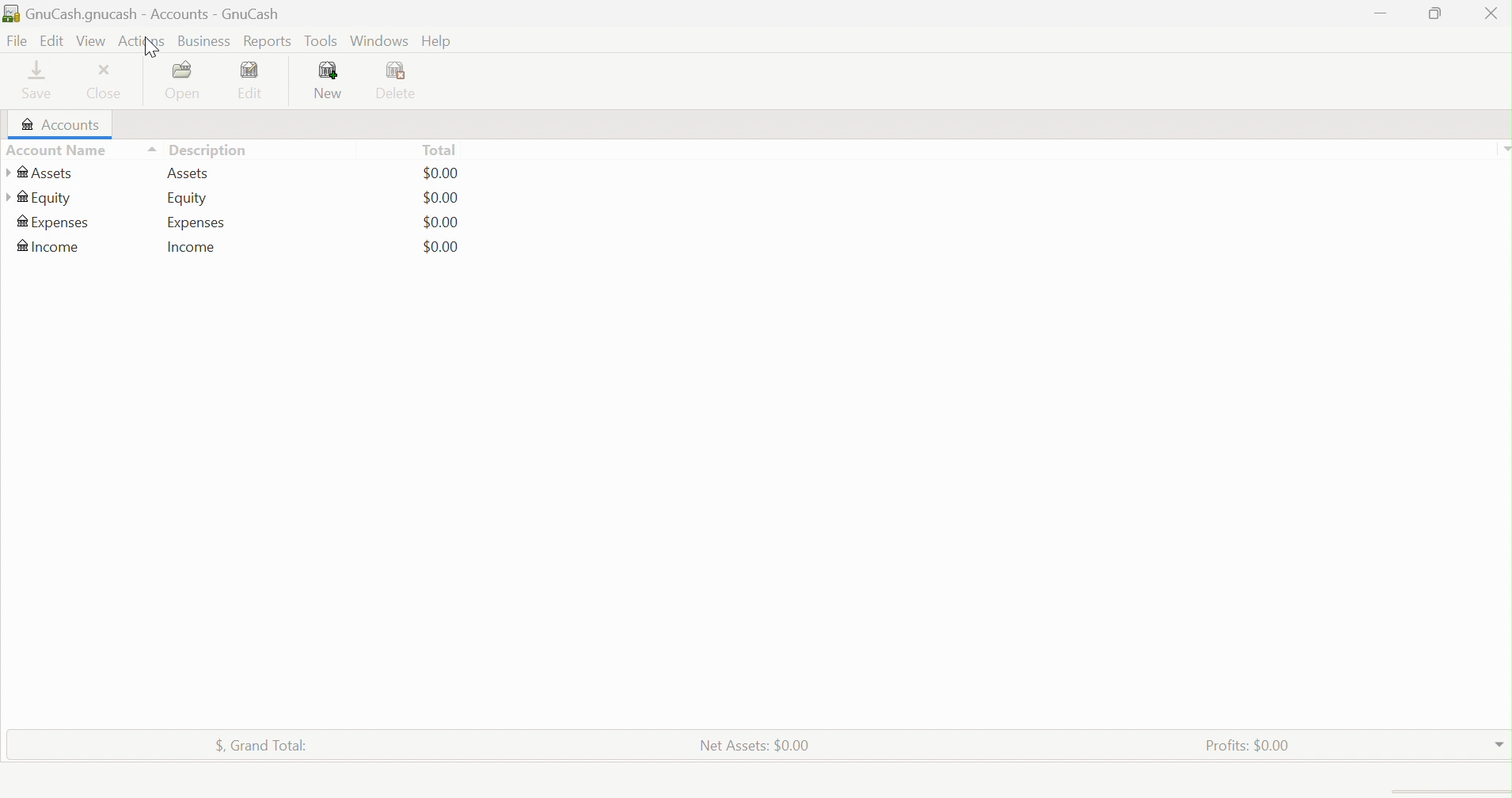  I want to click on $0.00, so click(442, 198).